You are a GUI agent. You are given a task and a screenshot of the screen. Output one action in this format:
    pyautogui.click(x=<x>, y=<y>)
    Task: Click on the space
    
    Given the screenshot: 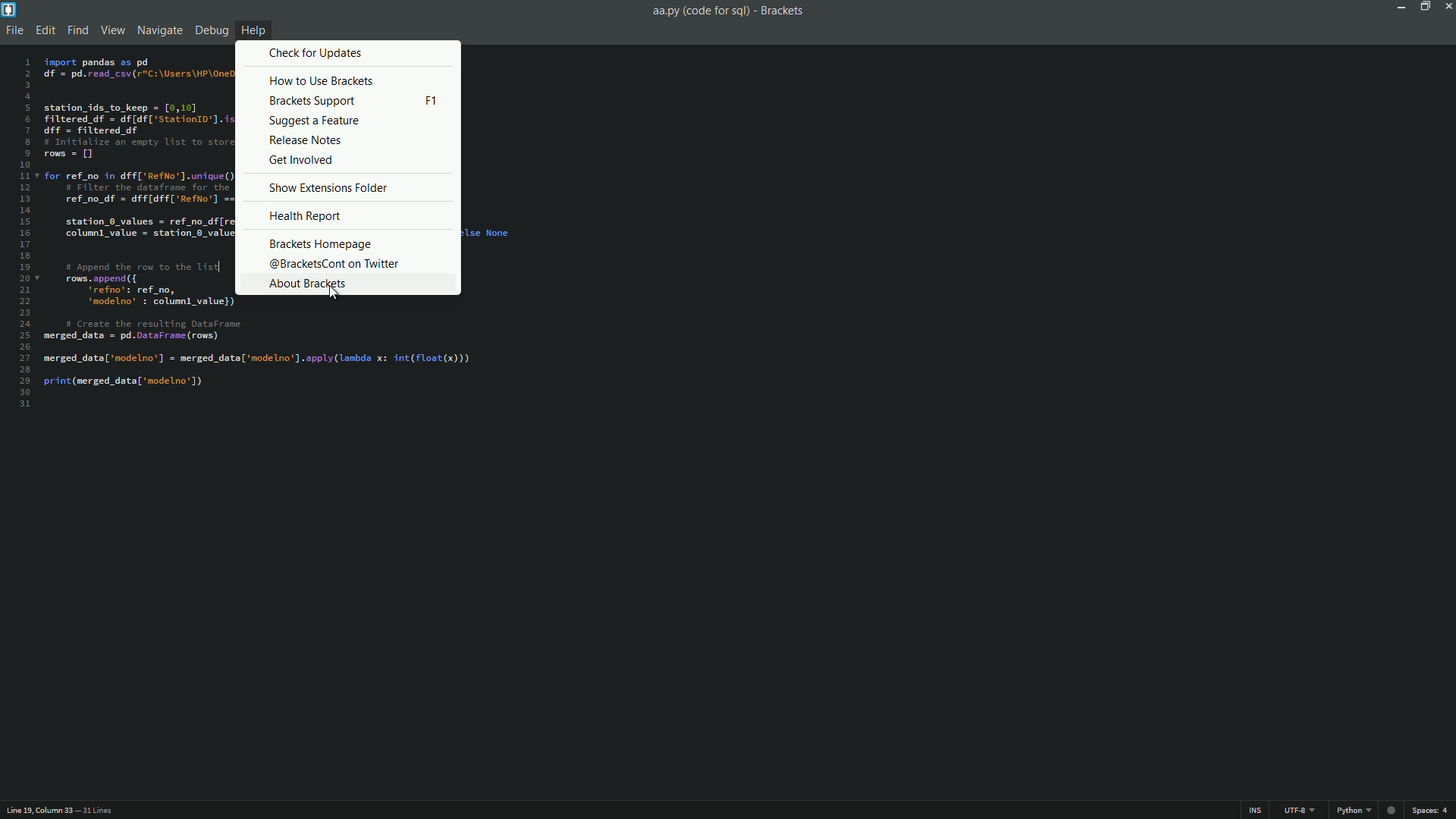 What is the action you would take?
    pyautogui.click(x=1432, y=810)
    